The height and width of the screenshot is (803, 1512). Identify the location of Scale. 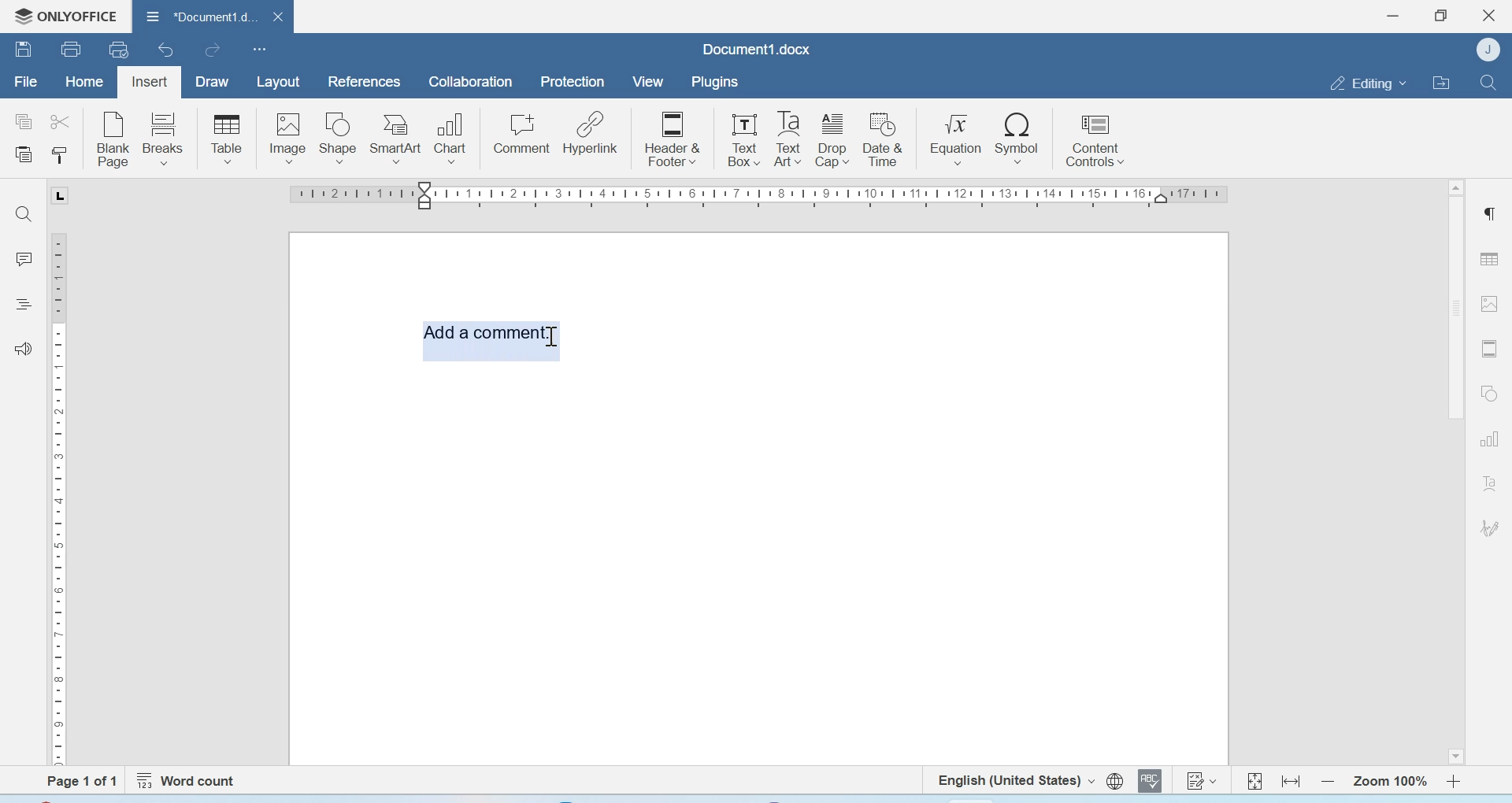
(61, 496).